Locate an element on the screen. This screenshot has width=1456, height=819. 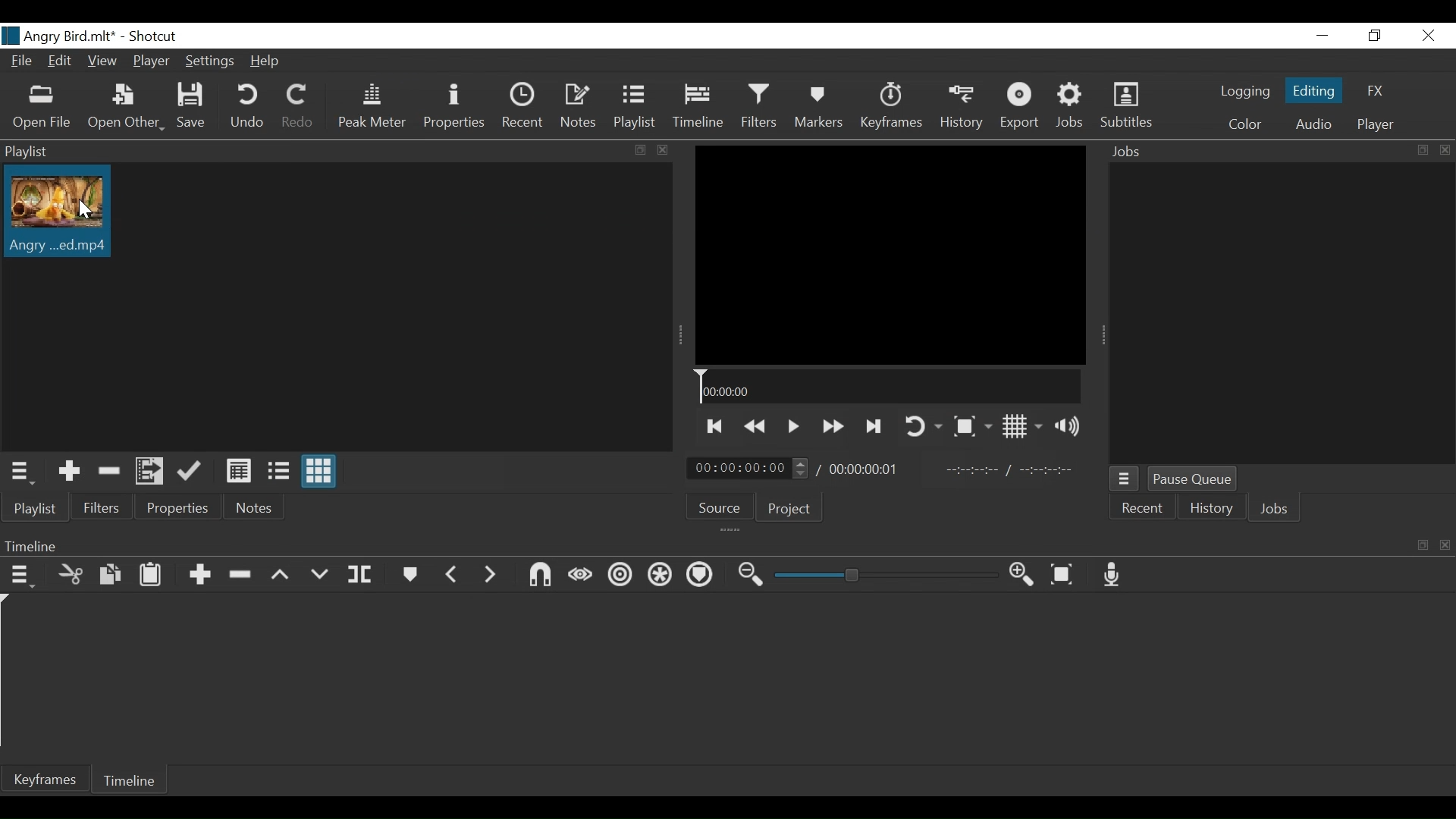
Timeline is located at coordinates (889, 386).